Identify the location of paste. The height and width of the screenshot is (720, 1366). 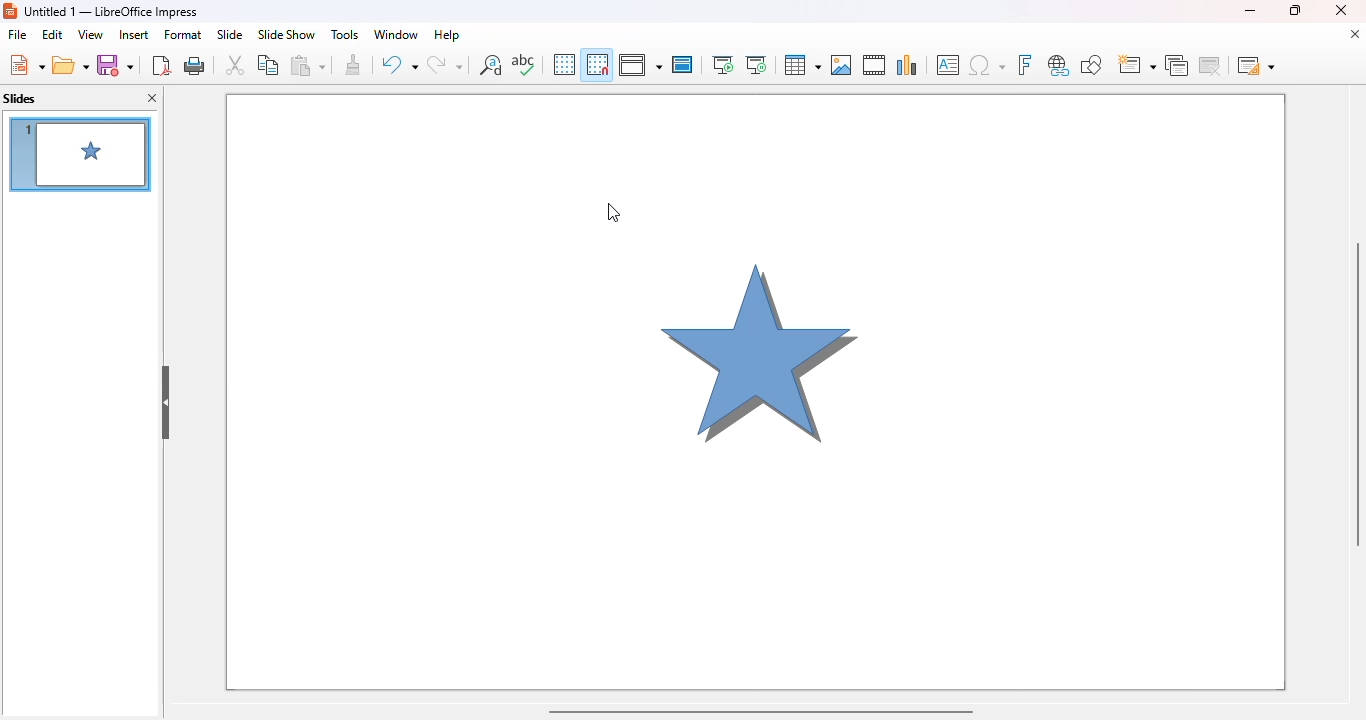
(307, 64).